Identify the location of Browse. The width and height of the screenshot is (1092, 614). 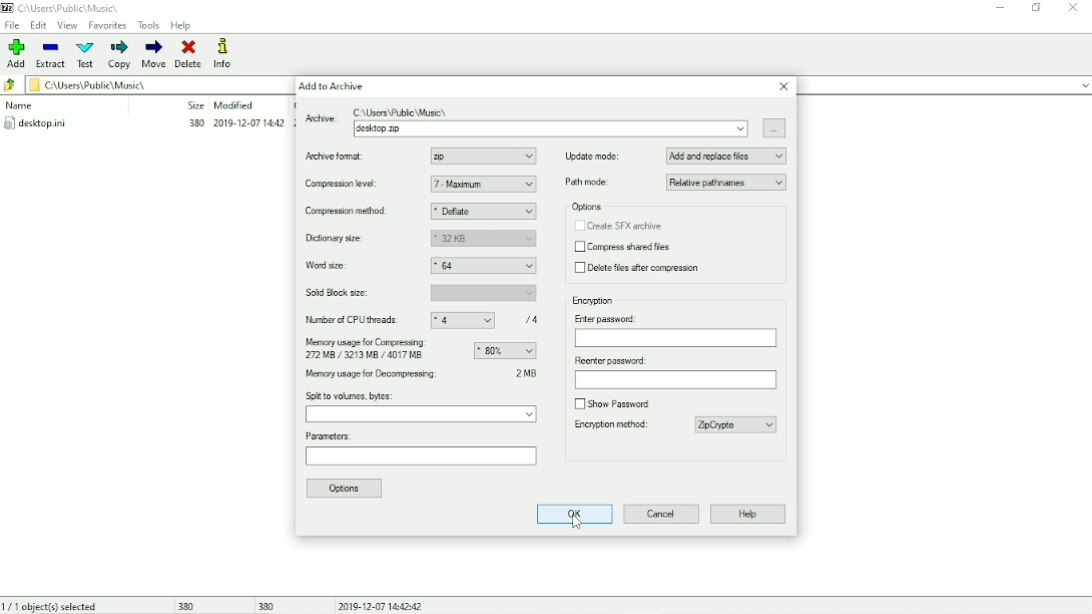
(776, 128).